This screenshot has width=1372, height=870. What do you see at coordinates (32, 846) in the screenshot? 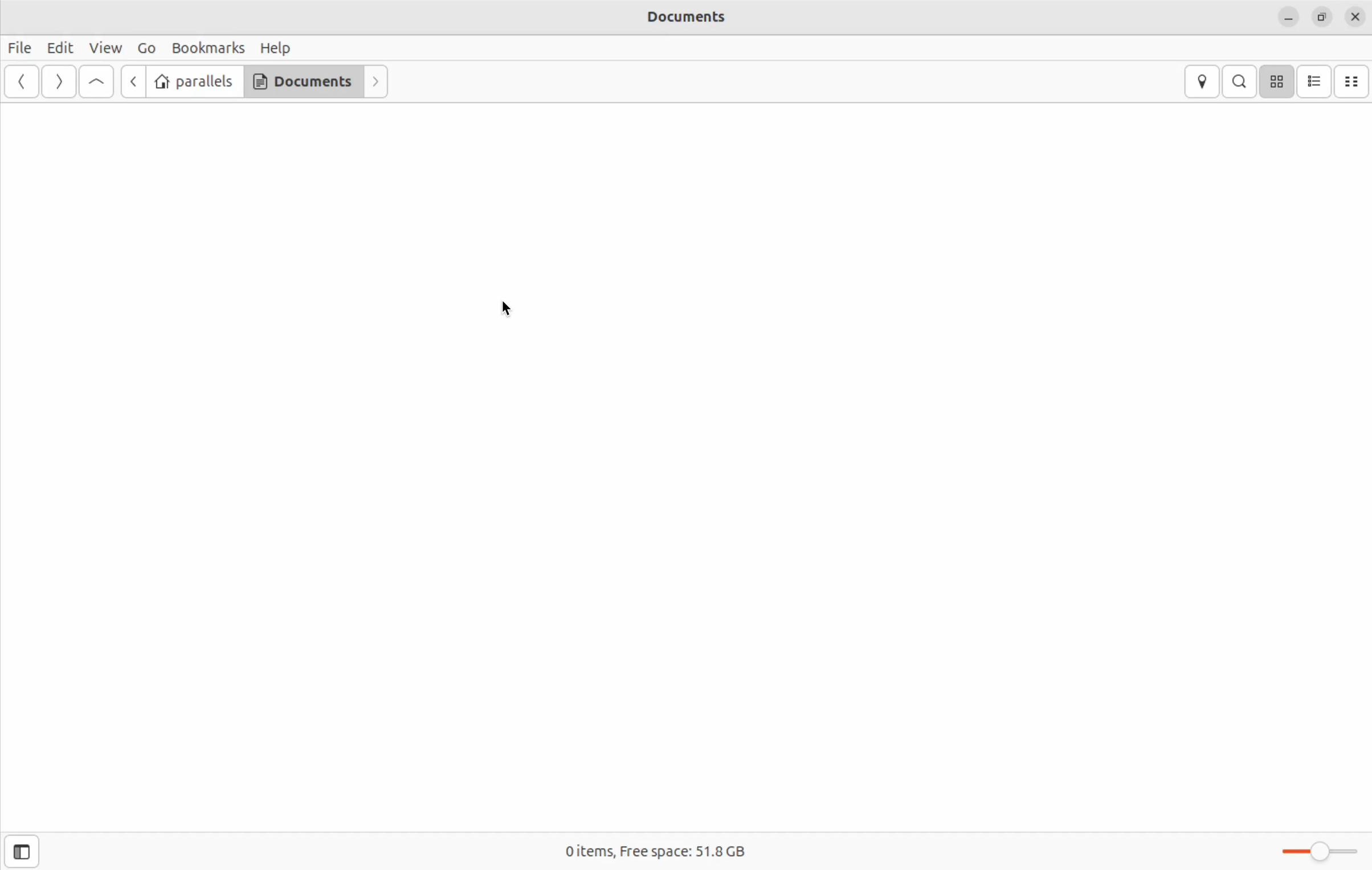
I see `open sidebar` at bounding box center [32, 846].